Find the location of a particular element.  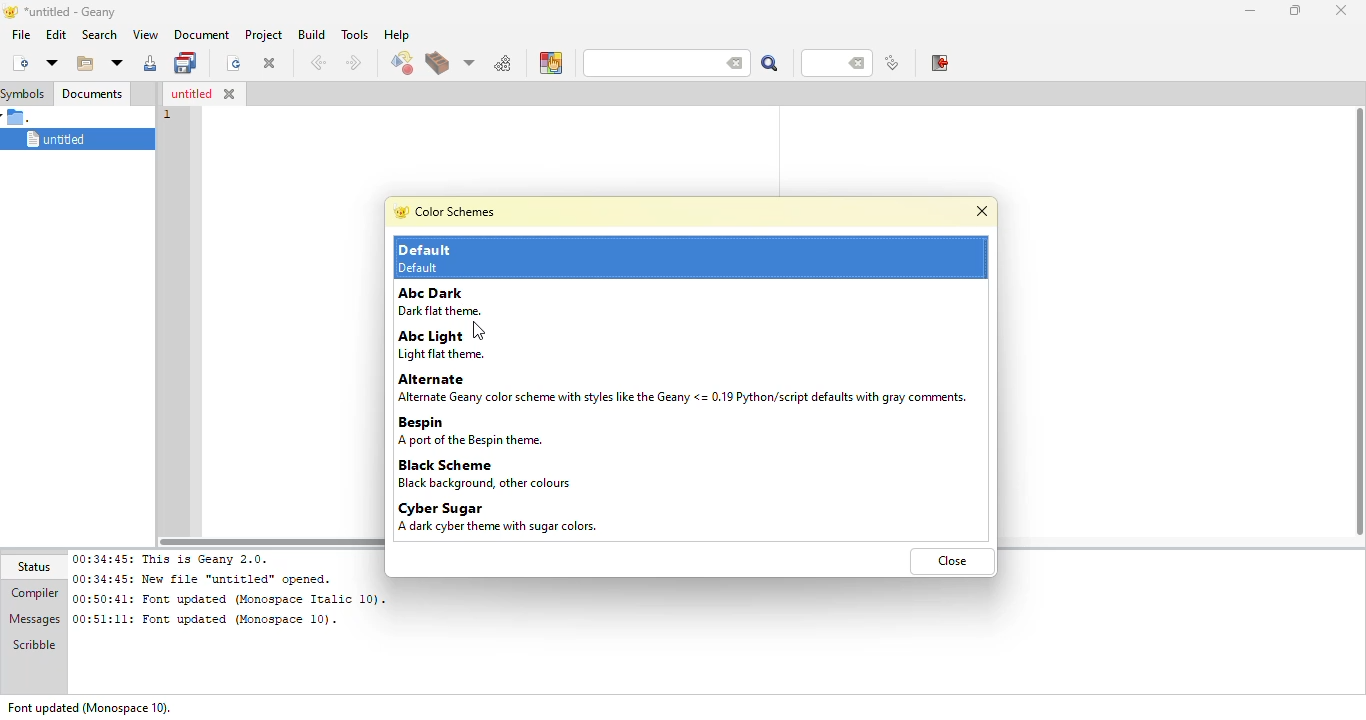

Black Scheme Black background, other colours is located at coordinates (496, 474).